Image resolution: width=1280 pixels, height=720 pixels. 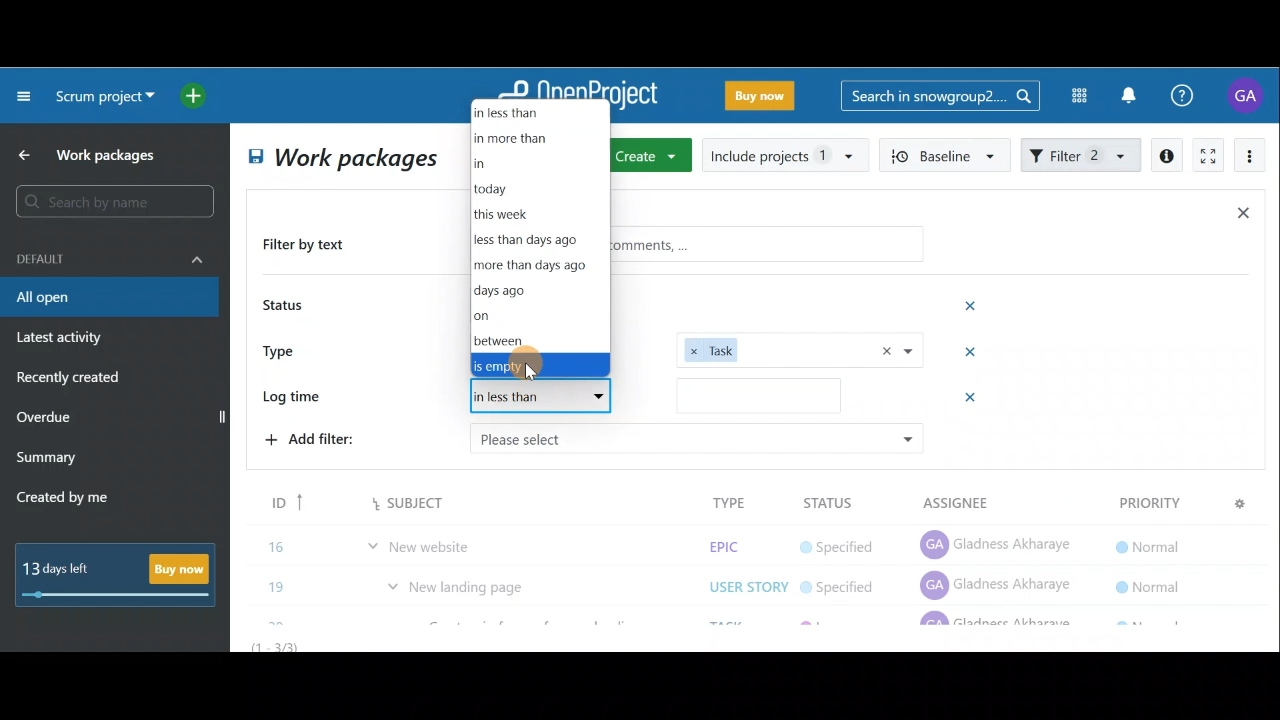 I want to click on Account name, so click(x=1248, y=95).